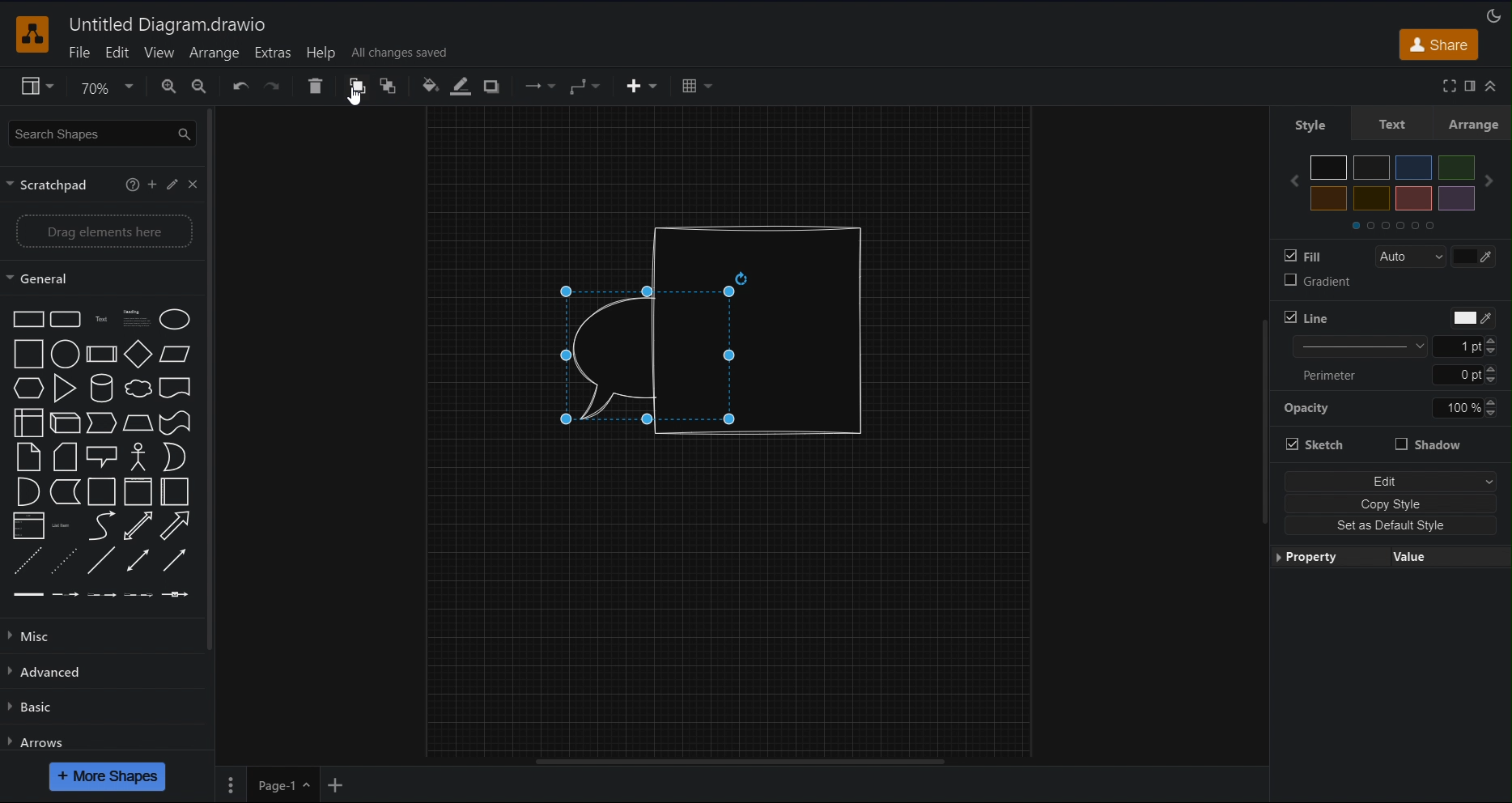  Describe the element at coordinates (174, 491) in the screenshot. I see `Horizontal container` at that location.